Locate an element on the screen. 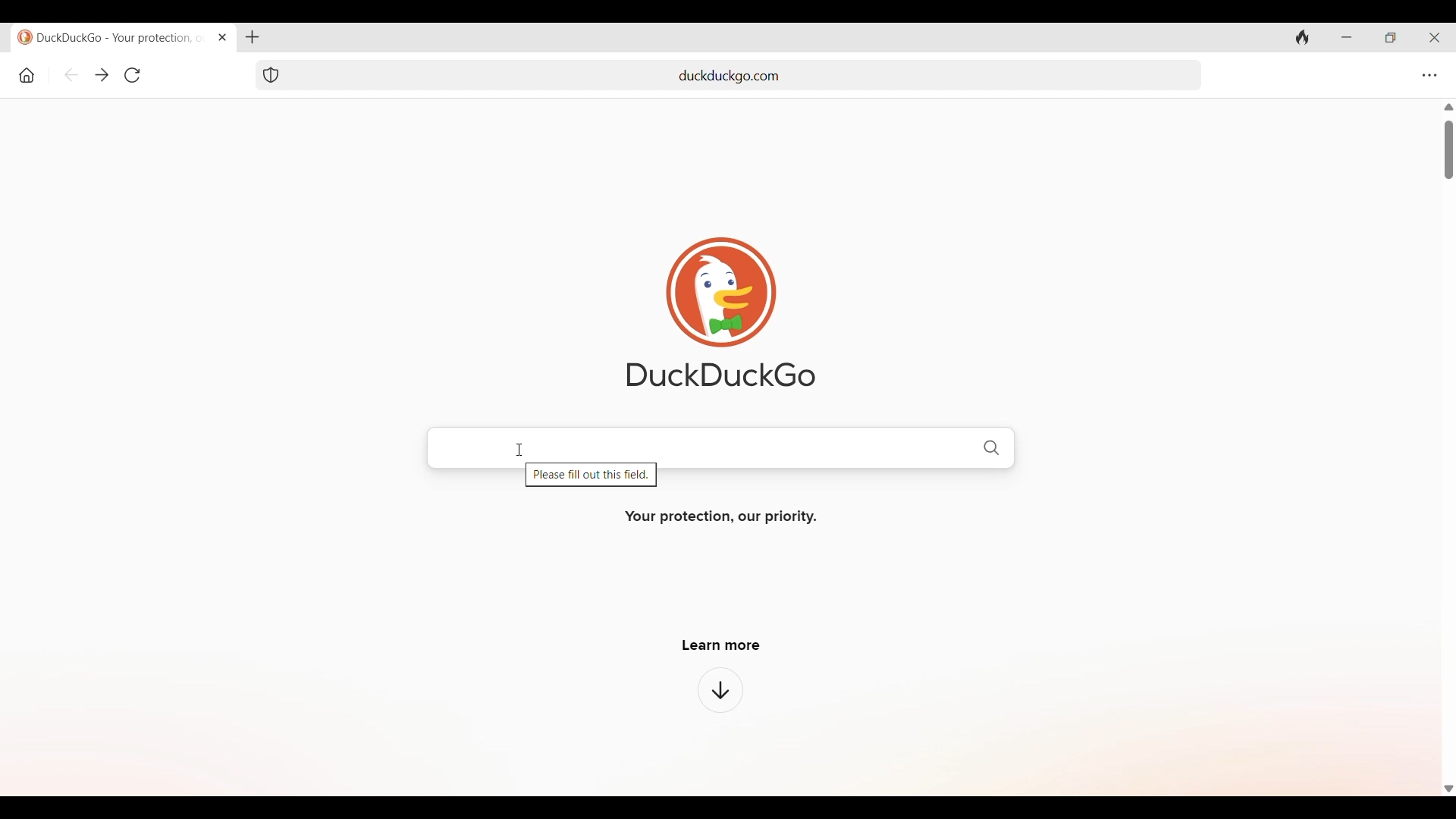 The height and width of the screenshot is (819, 1456). Vertical slide bar is located at coordinates (1448, 150).